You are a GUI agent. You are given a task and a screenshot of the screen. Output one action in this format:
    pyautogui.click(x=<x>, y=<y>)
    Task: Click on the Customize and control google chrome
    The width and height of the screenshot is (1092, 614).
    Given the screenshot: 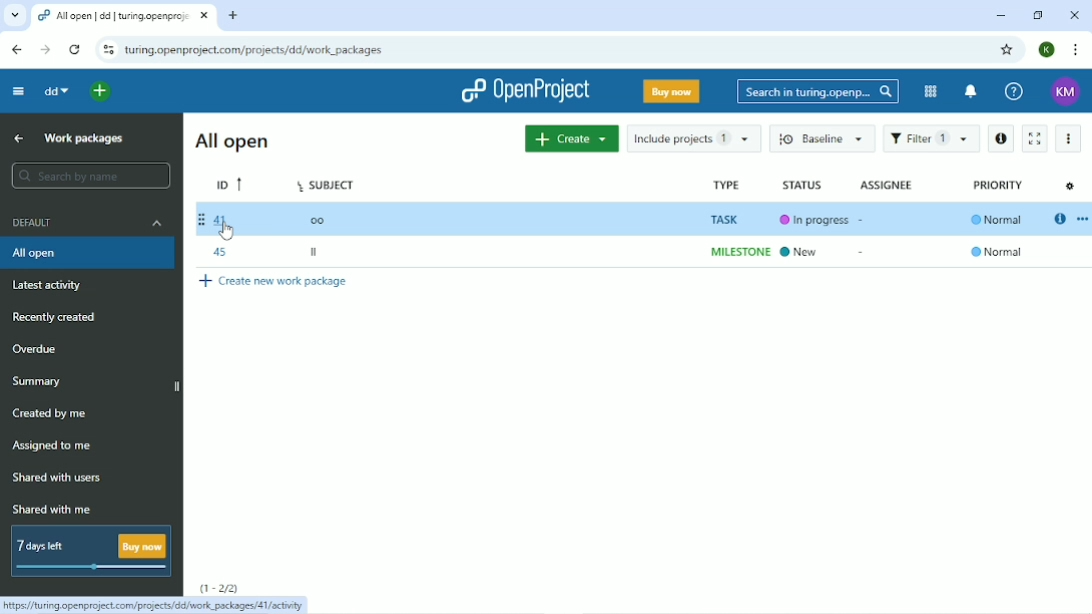 What is the action you would take?
    pyautogui.click(x=1073, y=50)
    